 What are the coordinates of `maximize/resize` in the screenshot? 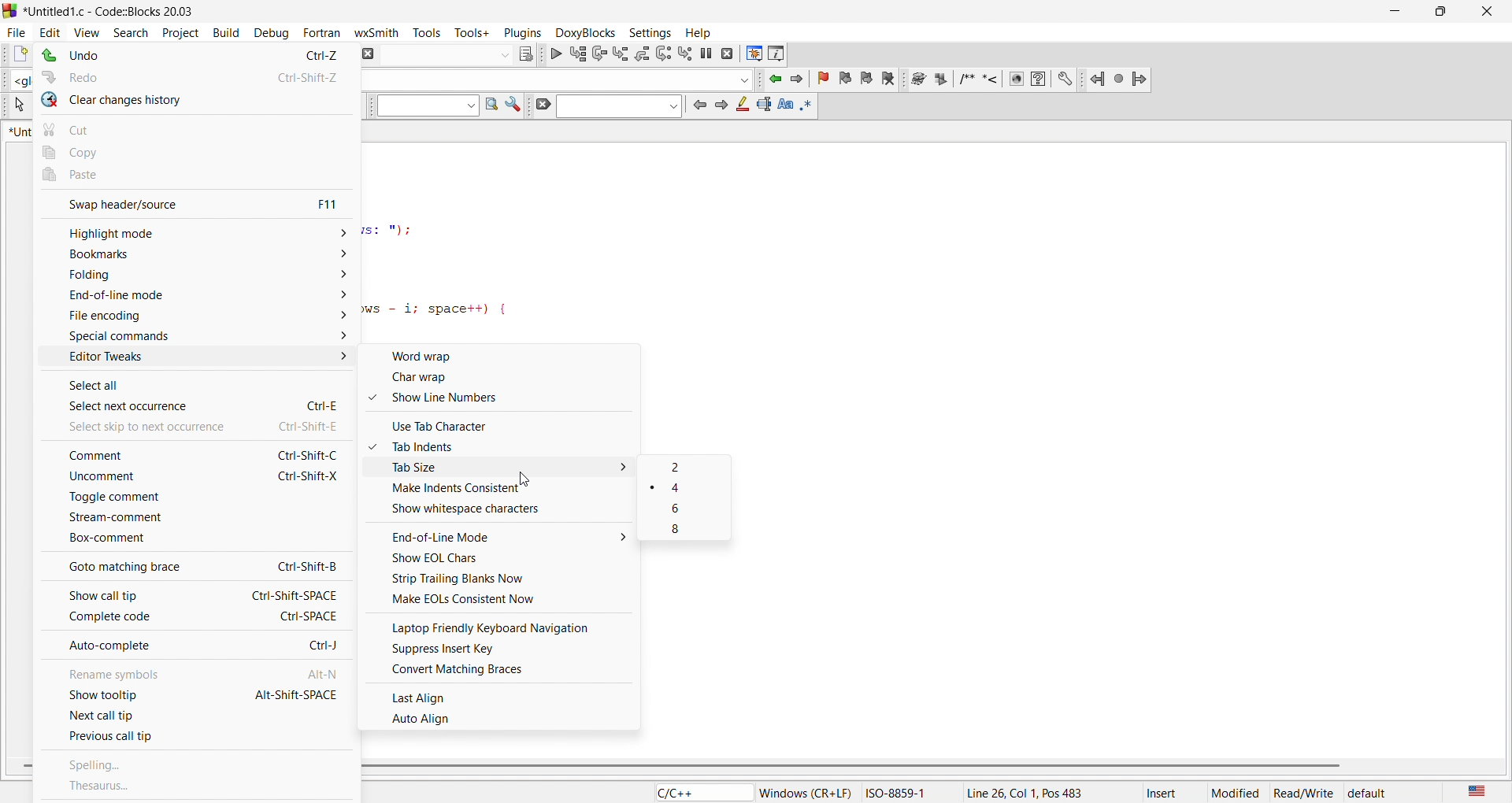 It's located at (1446, 9).